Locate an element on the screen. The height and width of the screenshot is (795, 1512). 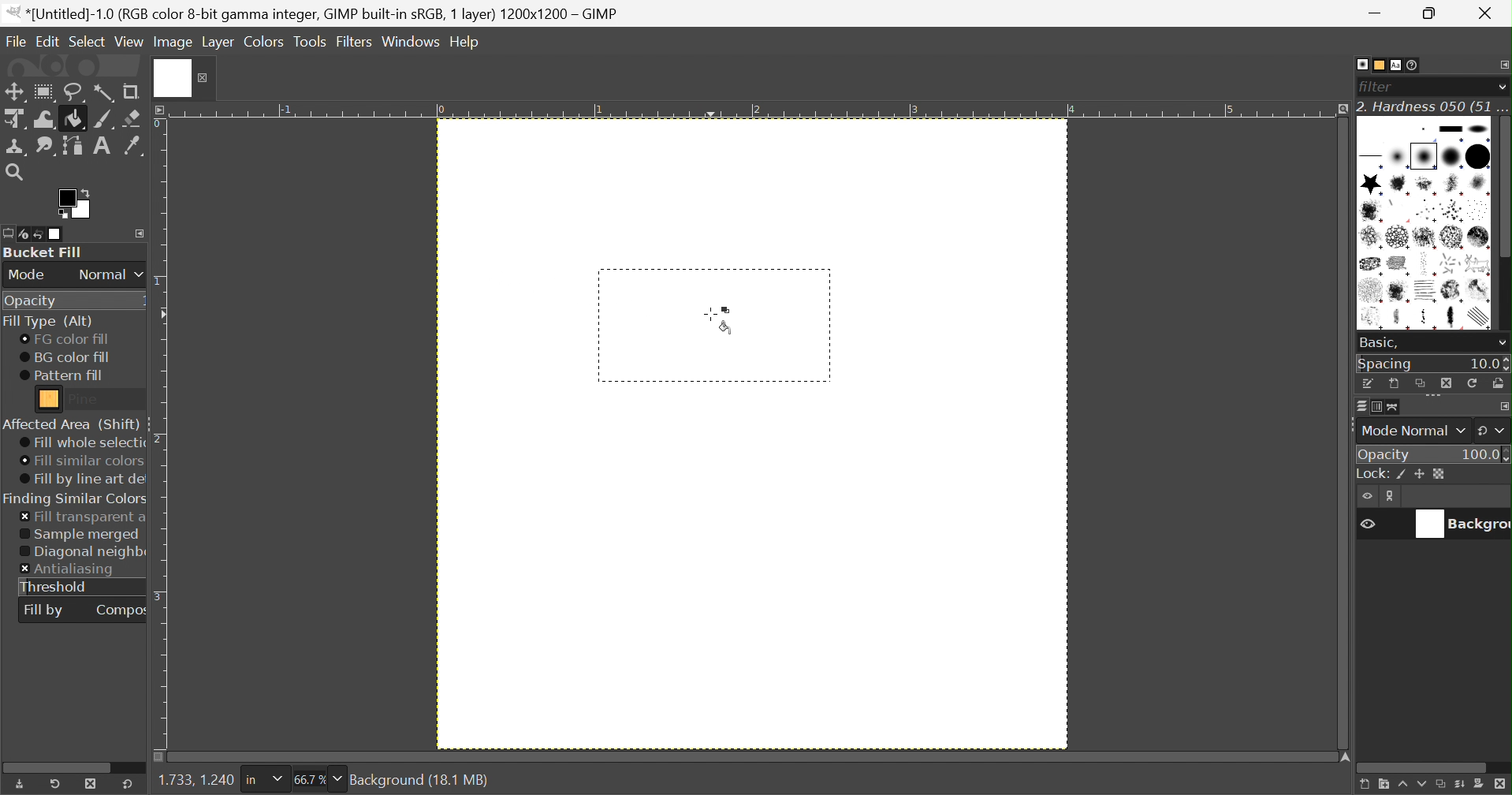
Bucket Fill Tool is located at coordinates (75, 120).